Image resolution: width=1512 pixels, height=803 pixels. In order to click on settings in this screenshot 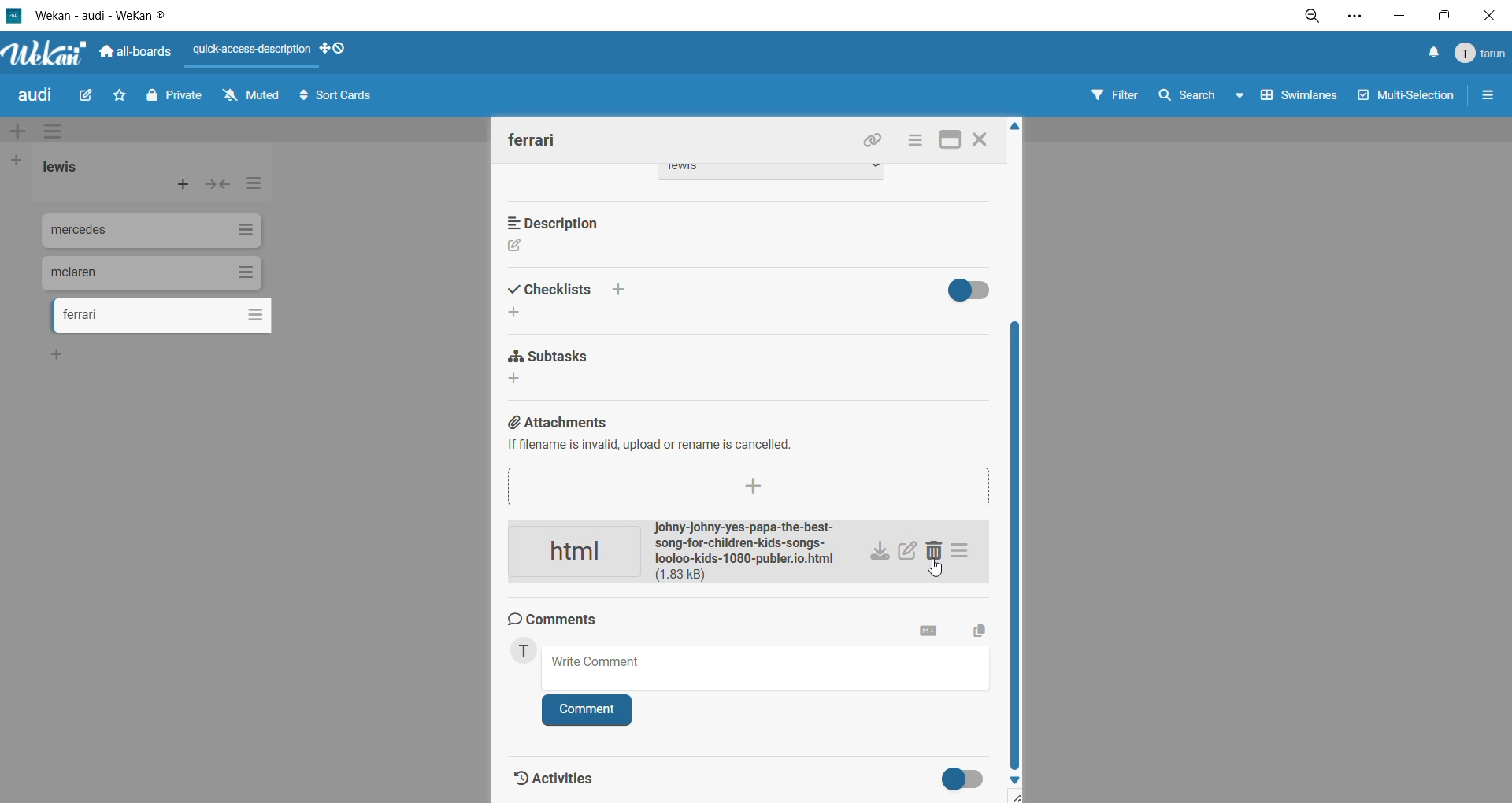, I will do `click(1363, 16)`.